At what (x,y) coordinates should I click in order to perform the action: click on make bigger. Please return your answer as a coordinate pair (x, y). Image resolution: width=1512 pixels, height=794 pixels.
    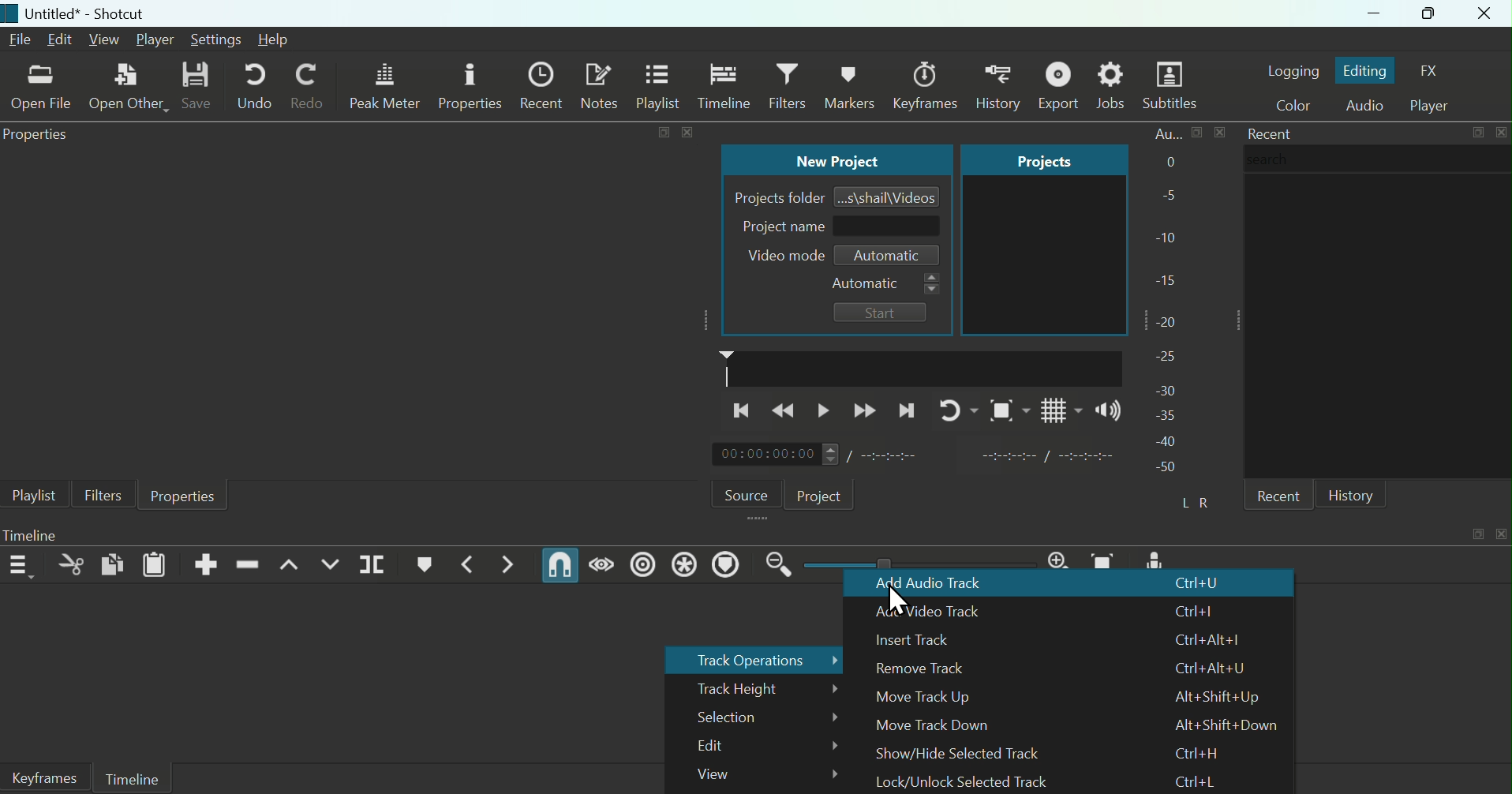
    Looking at the image, I should click on (1197, 133).